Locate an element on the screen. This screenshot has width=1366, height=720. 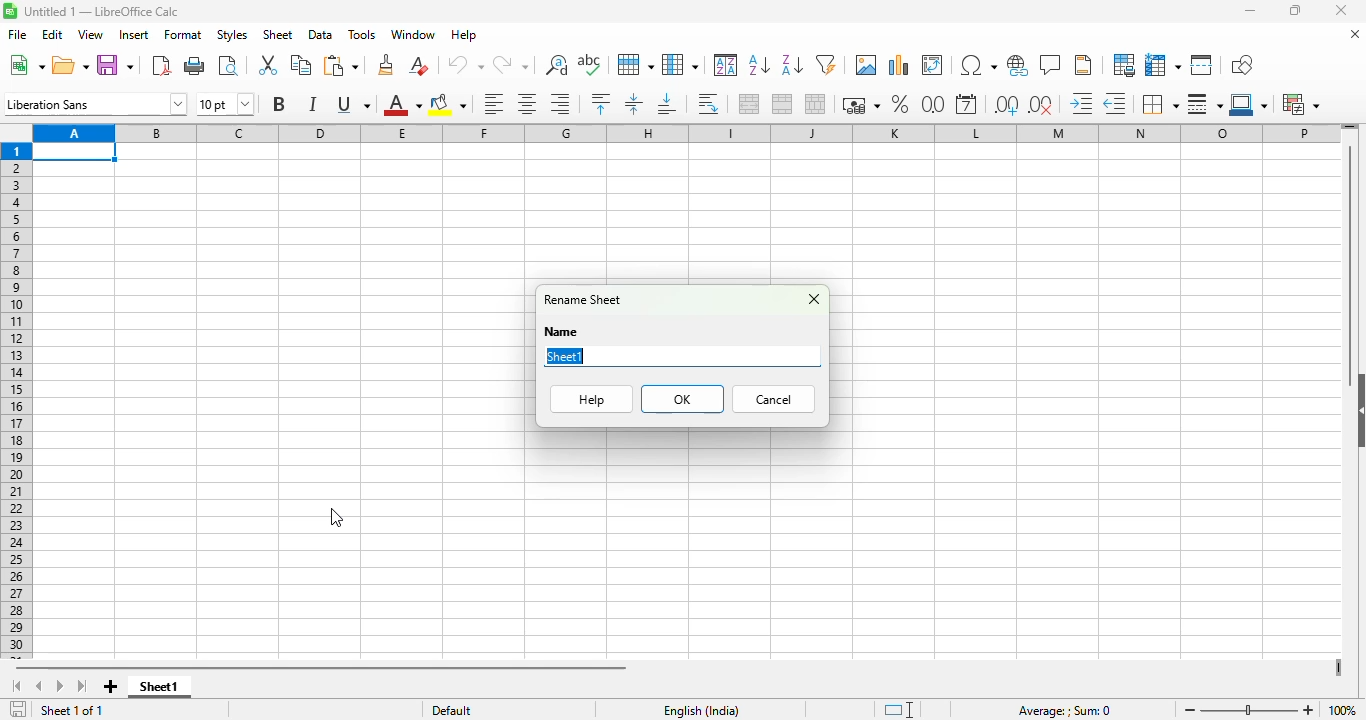
show draw functions is located at coordinates (1240, 64).